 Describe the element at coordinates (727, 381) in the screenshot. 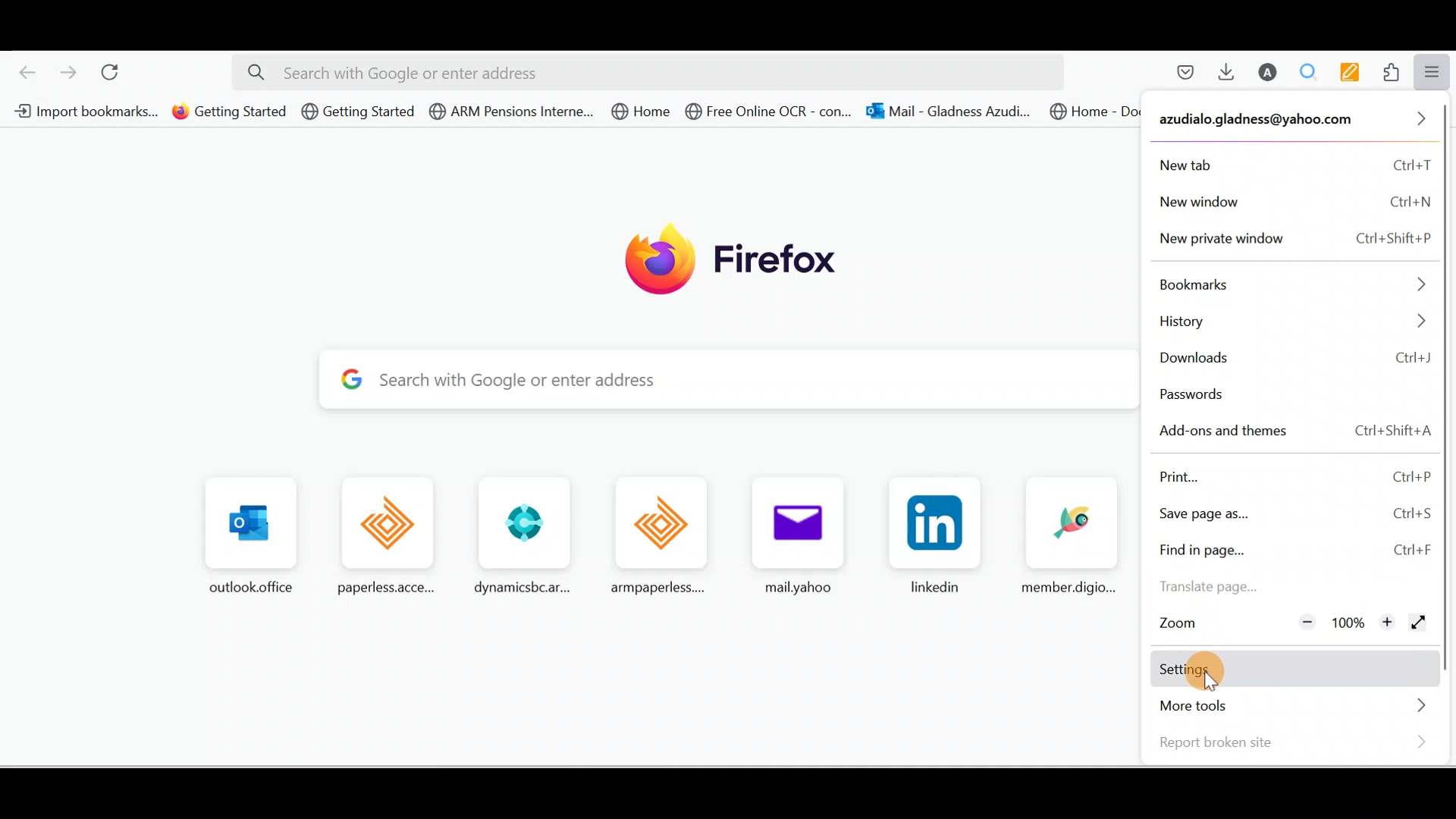

I see `Search bar` at that location.